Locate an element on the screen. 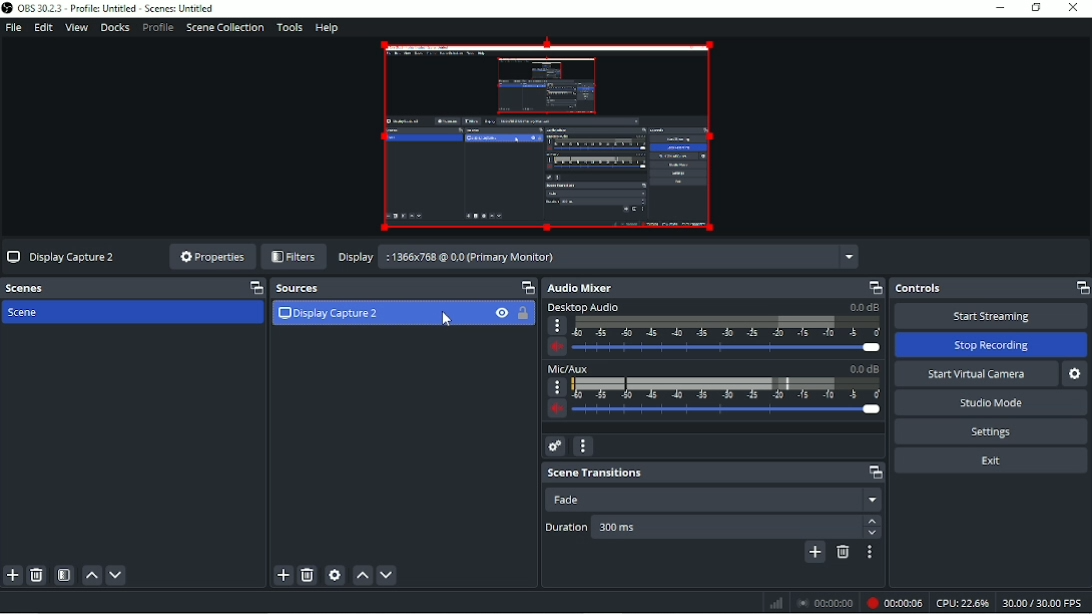  Tools is located at coordinates (290, 28).